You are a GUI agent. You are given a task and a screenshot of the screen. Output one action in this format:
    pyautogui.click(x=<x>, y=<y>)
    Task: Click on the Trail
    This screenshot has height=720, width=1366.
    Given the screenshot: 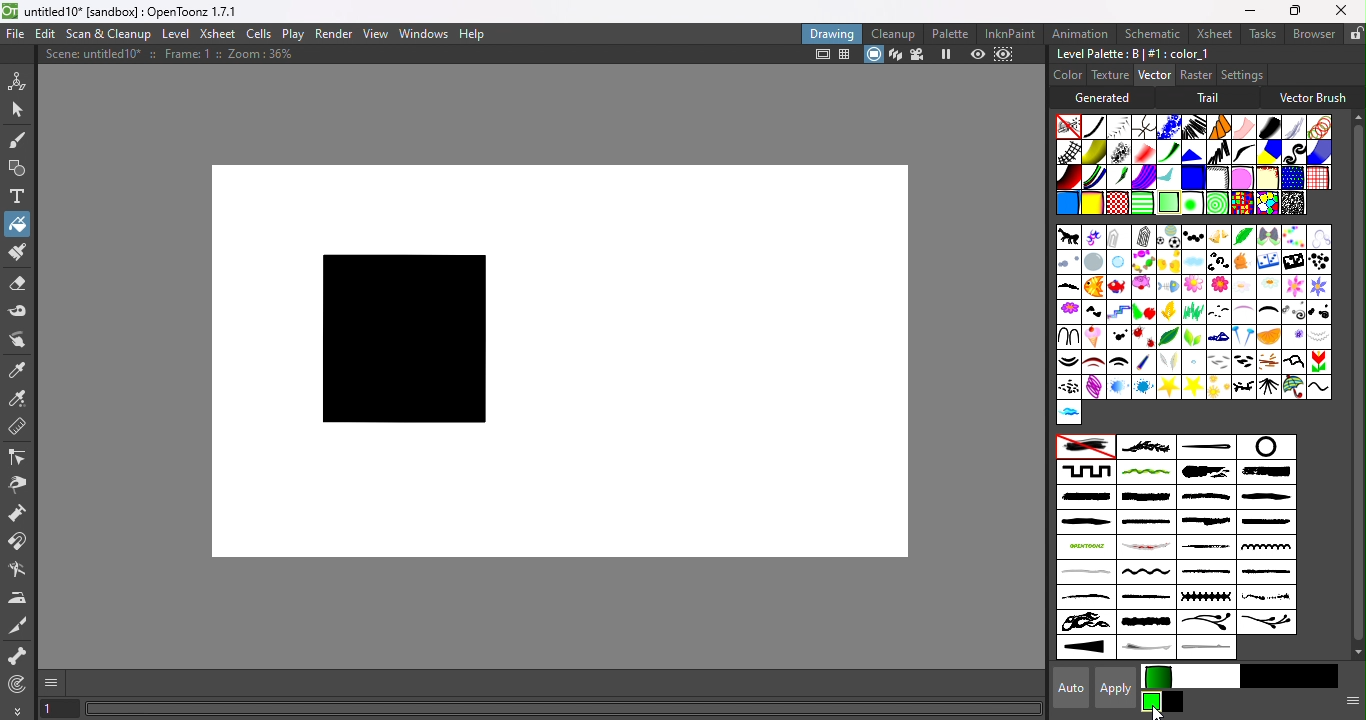 What is the action you would take?
    pyautogui.click(x=1211, y=98)
    